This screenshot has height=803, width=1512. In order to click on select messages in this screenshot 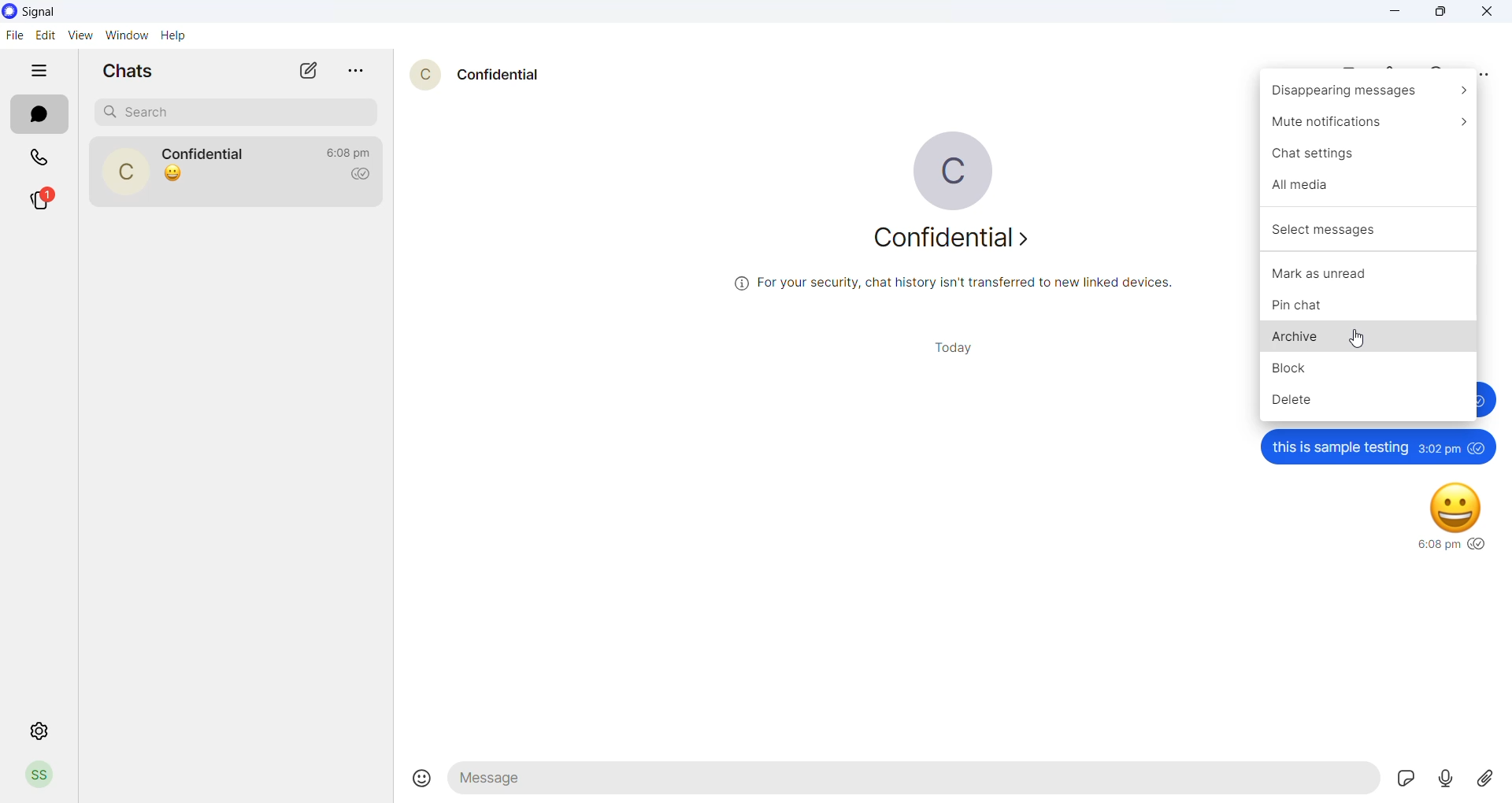, I will do `click(1369, 228)`.